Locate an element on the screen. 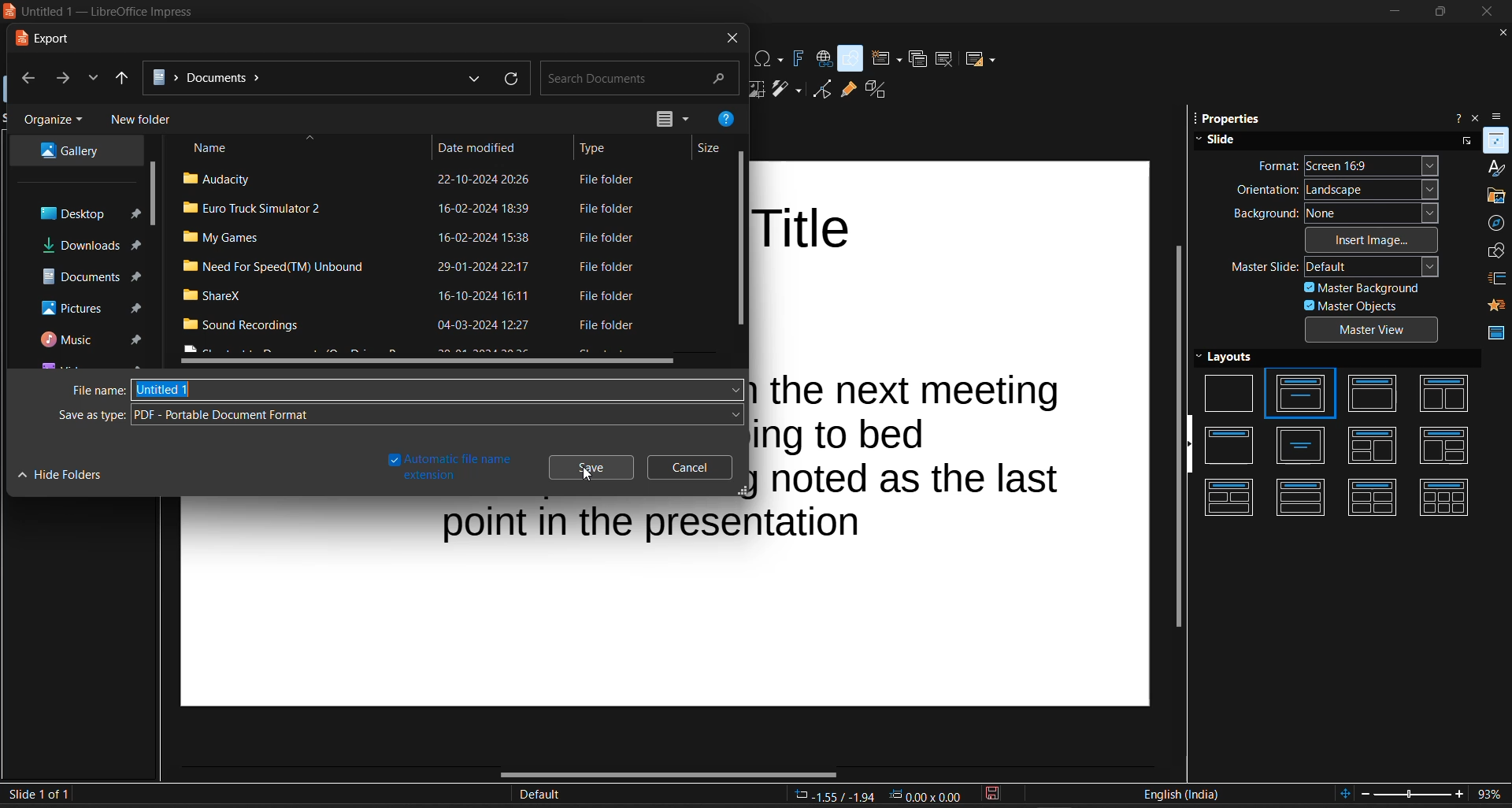 The height and width of the screenshot is (808, 1512). Music is located at coordinates (87, 338).